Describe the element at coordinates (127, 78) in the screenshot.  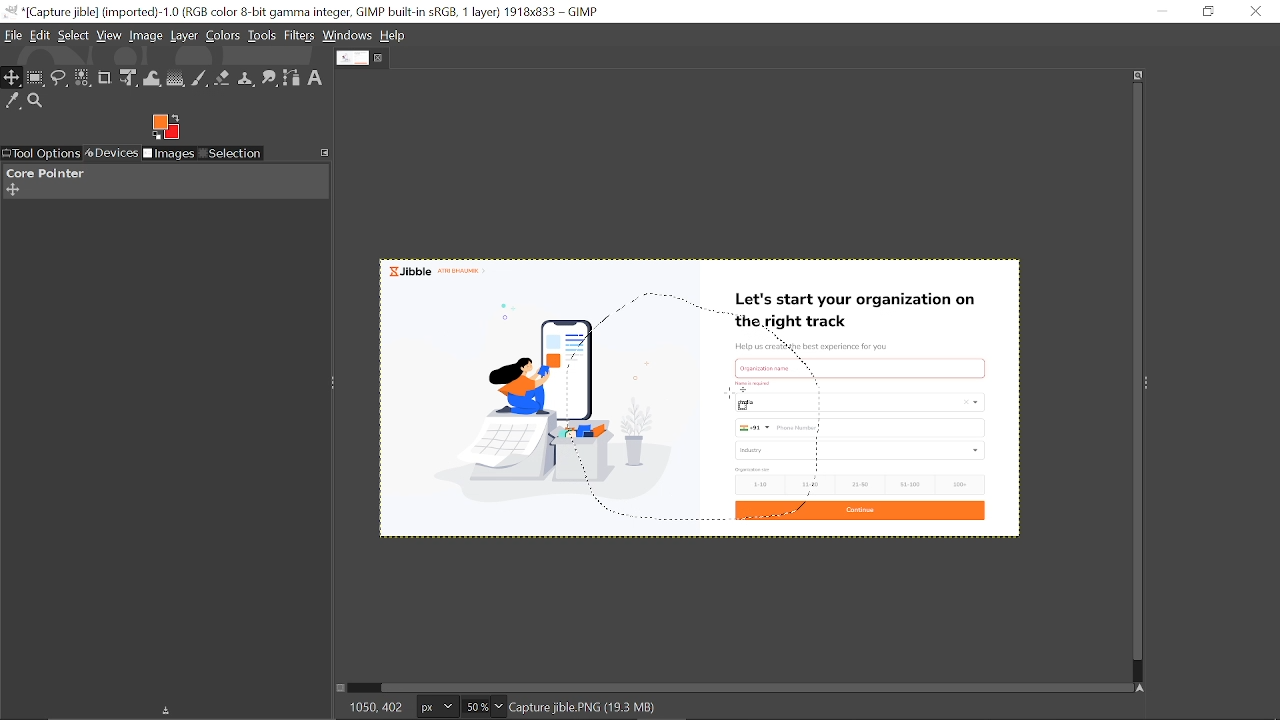
I see `Unified transform tool` at that location.